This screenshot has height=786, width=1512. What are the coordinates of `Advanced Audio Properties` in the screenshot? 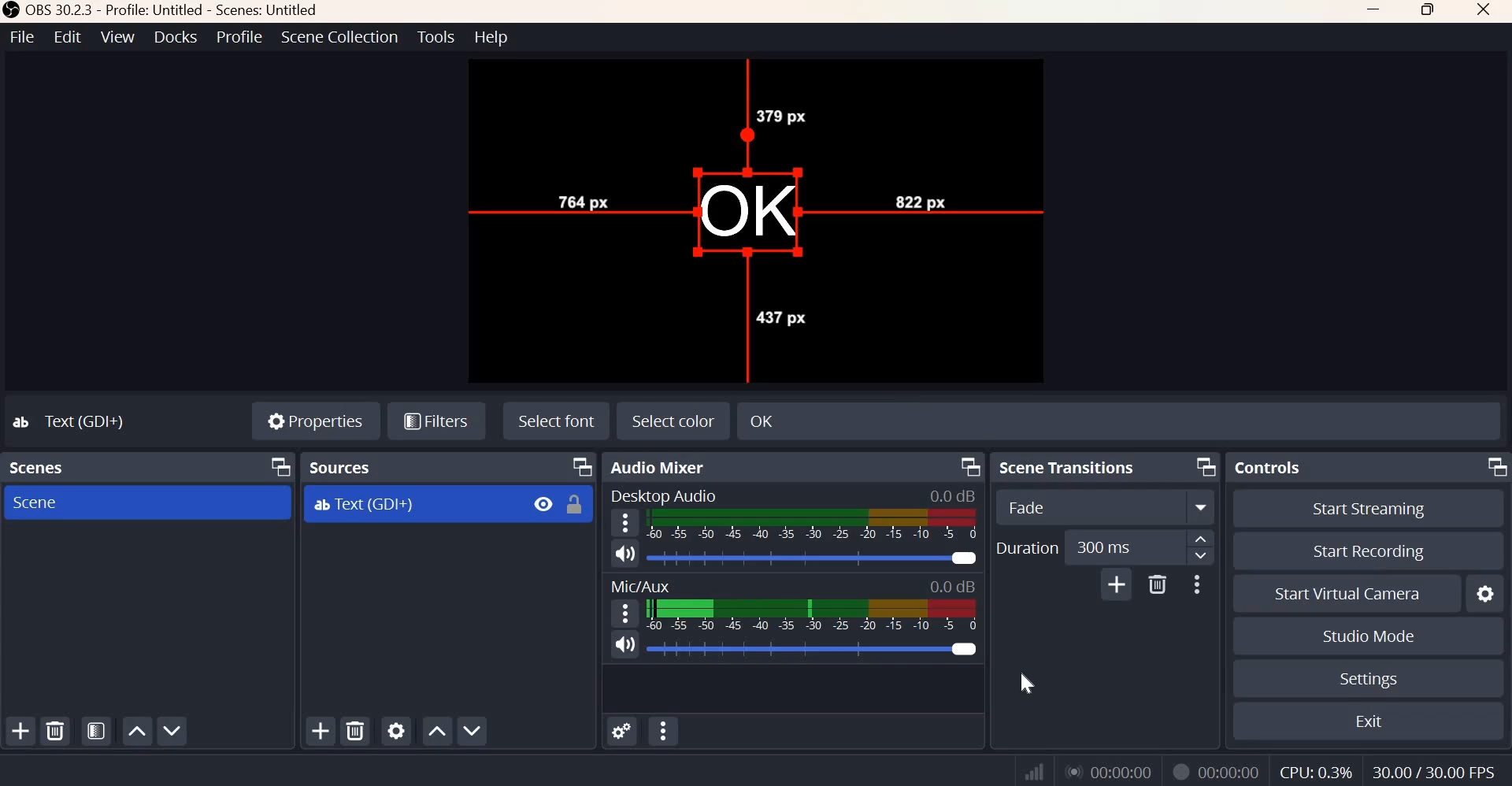 It's located at (621, 731).